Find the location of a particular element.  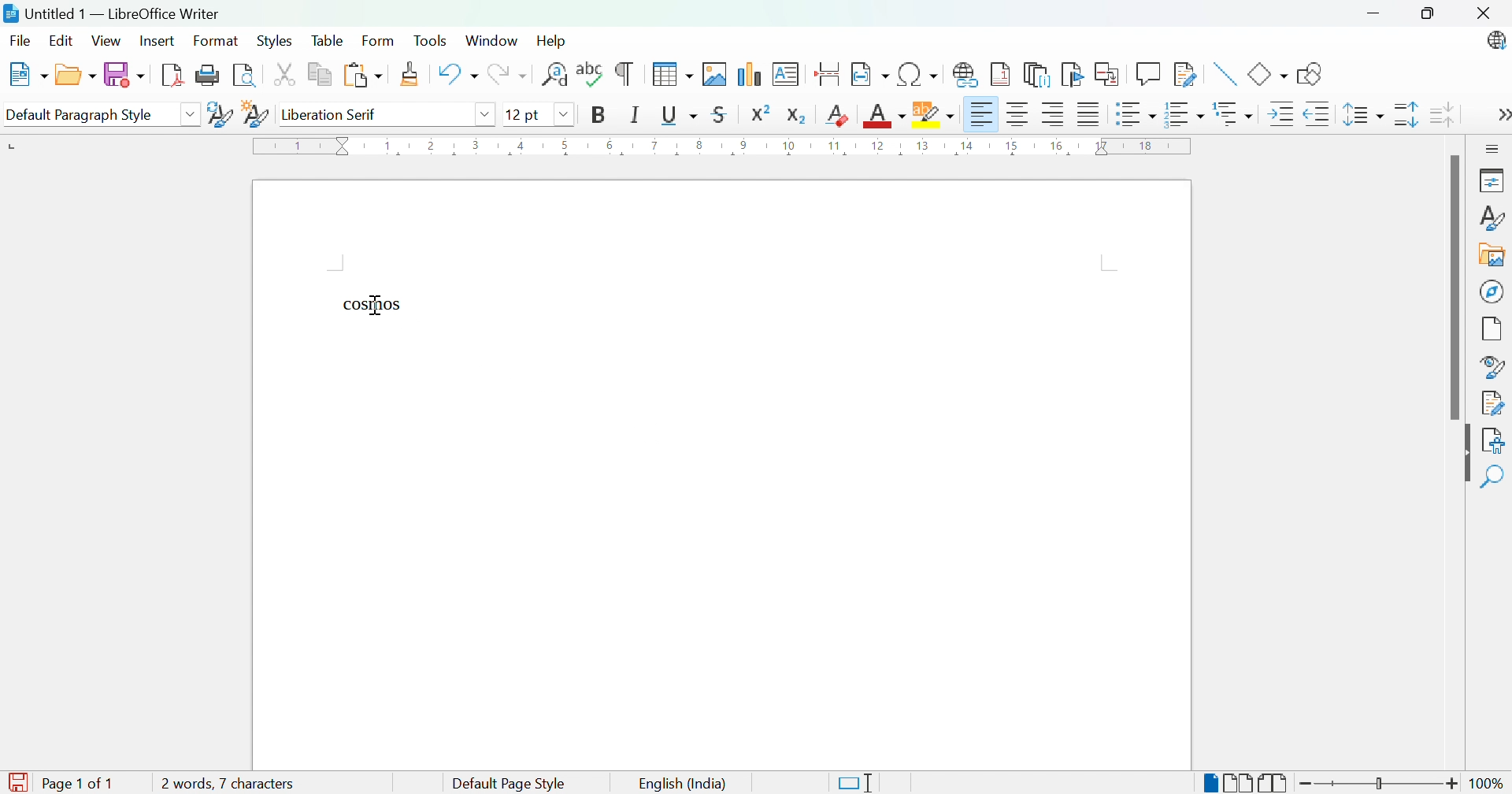

Drop down is located at coordinates (566, 115).